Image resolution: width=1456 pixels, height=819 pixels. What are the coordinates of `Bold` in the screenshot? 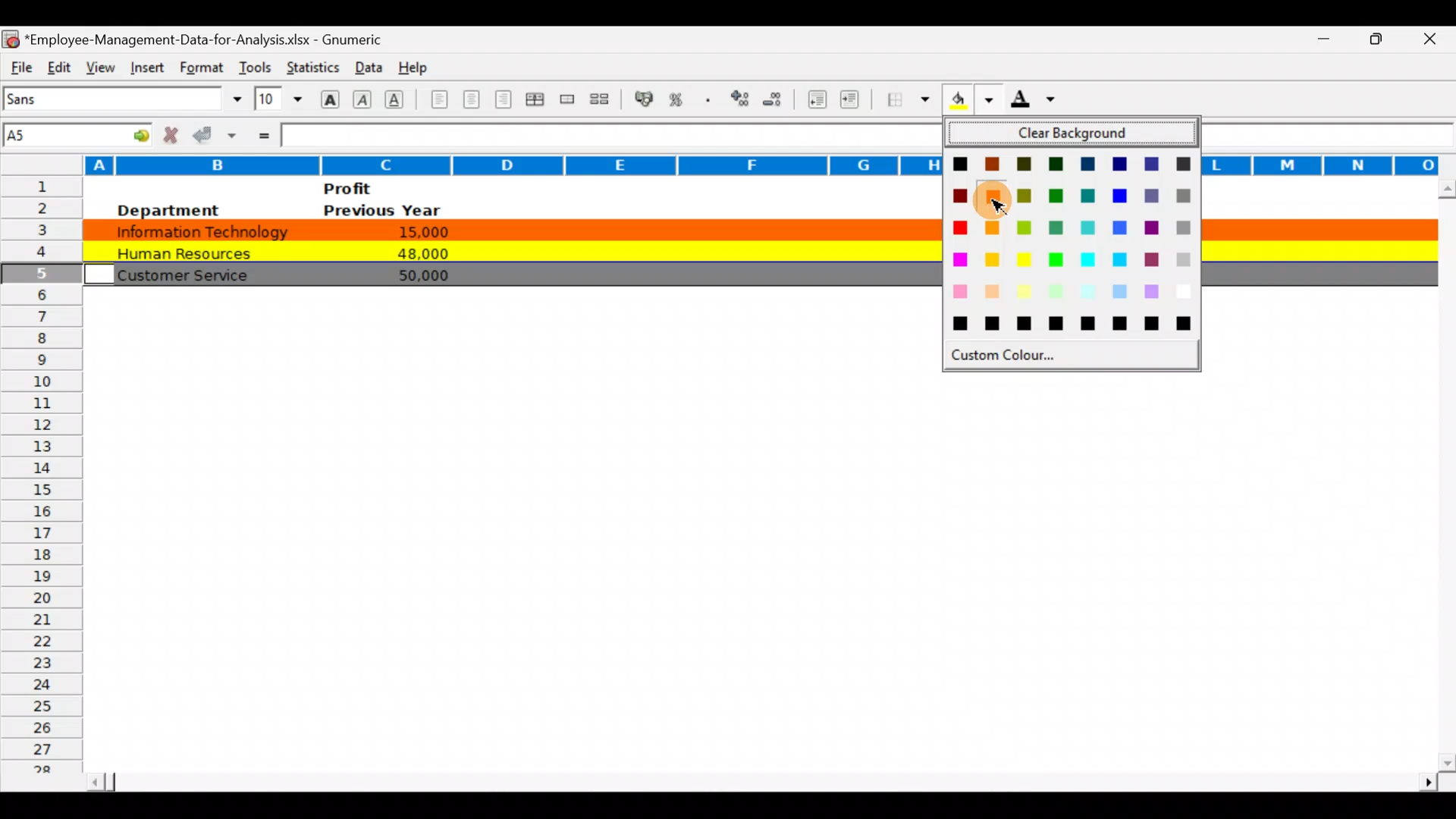 It's located at (328, 98).